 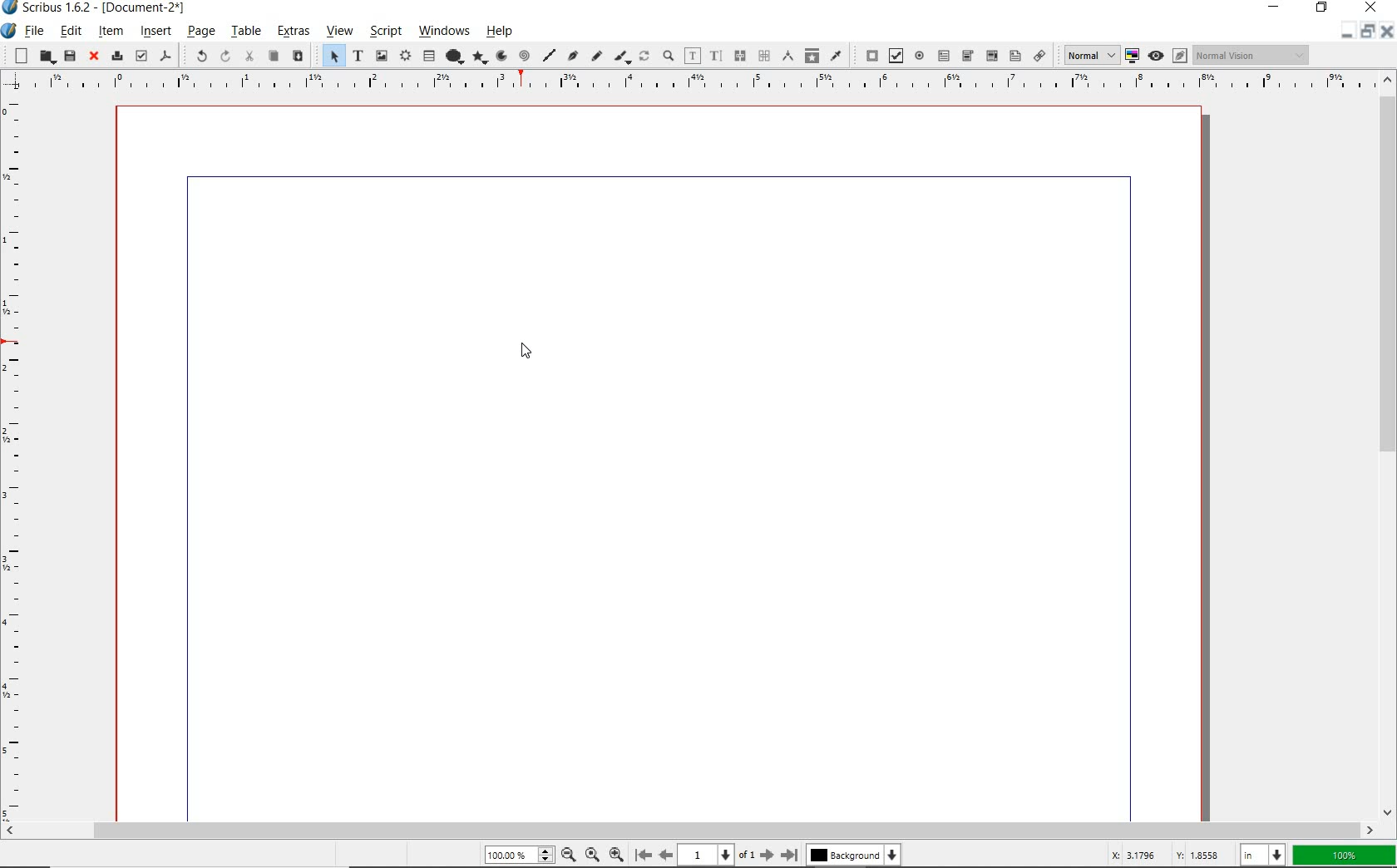 What do you see at coordinates (93, 57) in the screenshot?
I see `close` at bounding box center [93, 57].